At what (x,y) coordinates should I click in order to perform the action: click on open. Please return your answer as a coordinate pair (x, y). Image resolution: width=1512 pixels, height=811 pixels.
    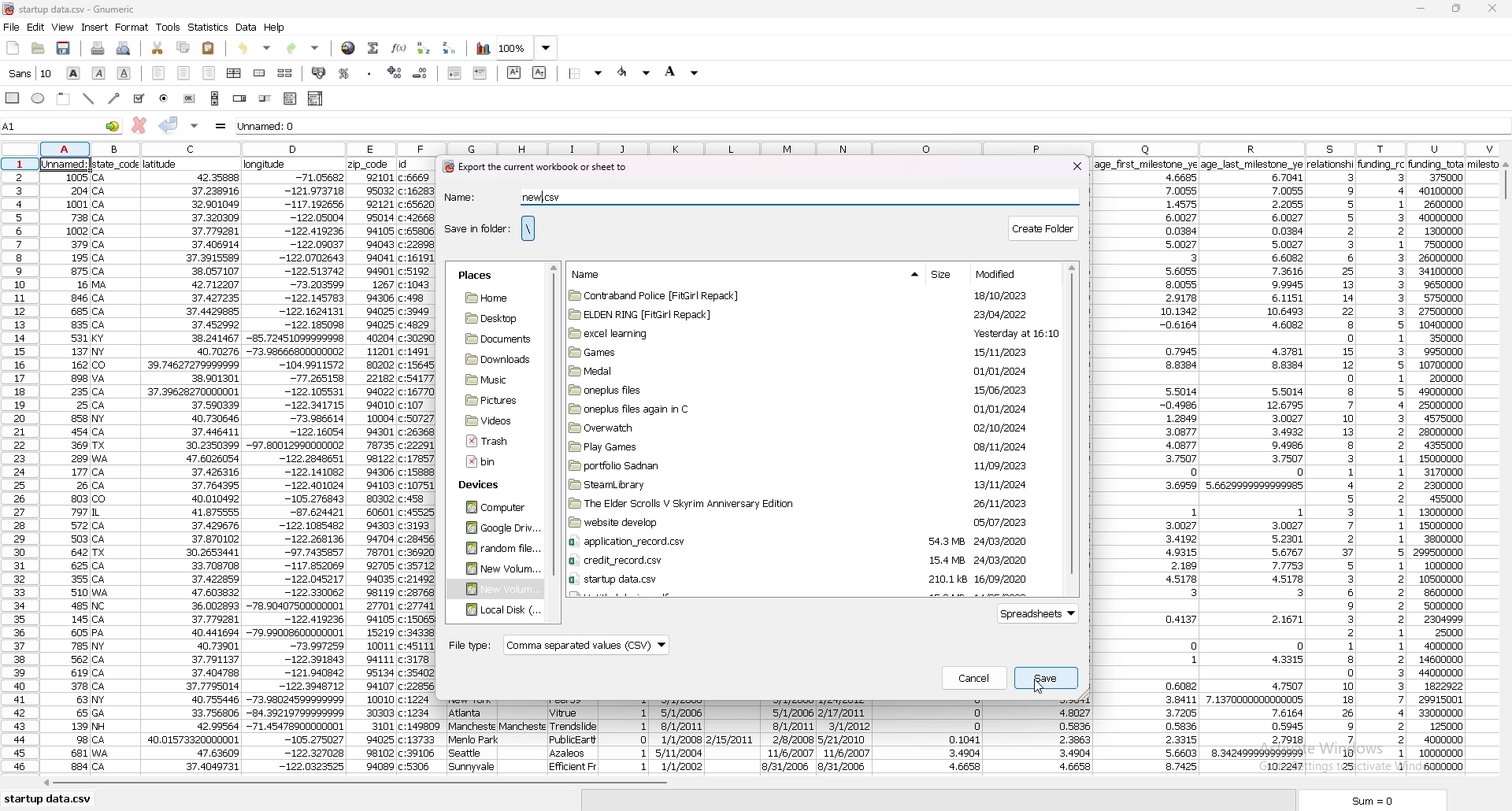
    Looking at the image, I should click on (39, 49).